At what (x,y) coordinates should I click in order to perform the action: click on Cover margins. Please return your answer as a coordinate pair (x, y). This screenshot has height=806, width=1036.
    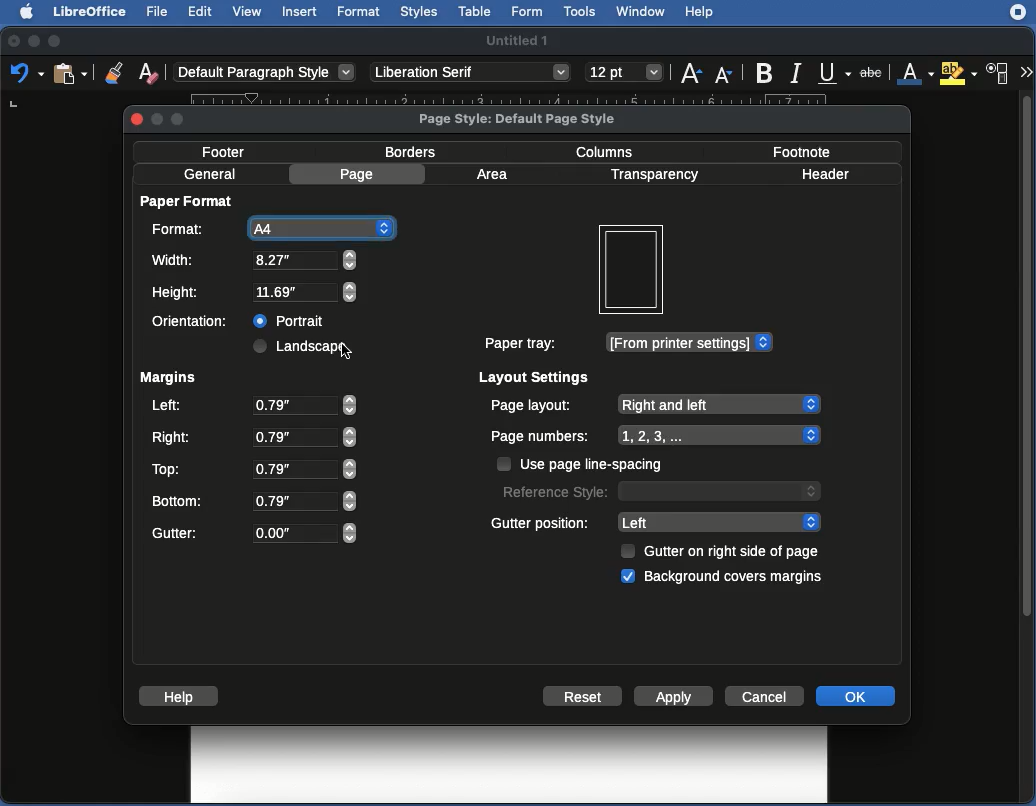
    Looking at the image, I should click on (737, 577).